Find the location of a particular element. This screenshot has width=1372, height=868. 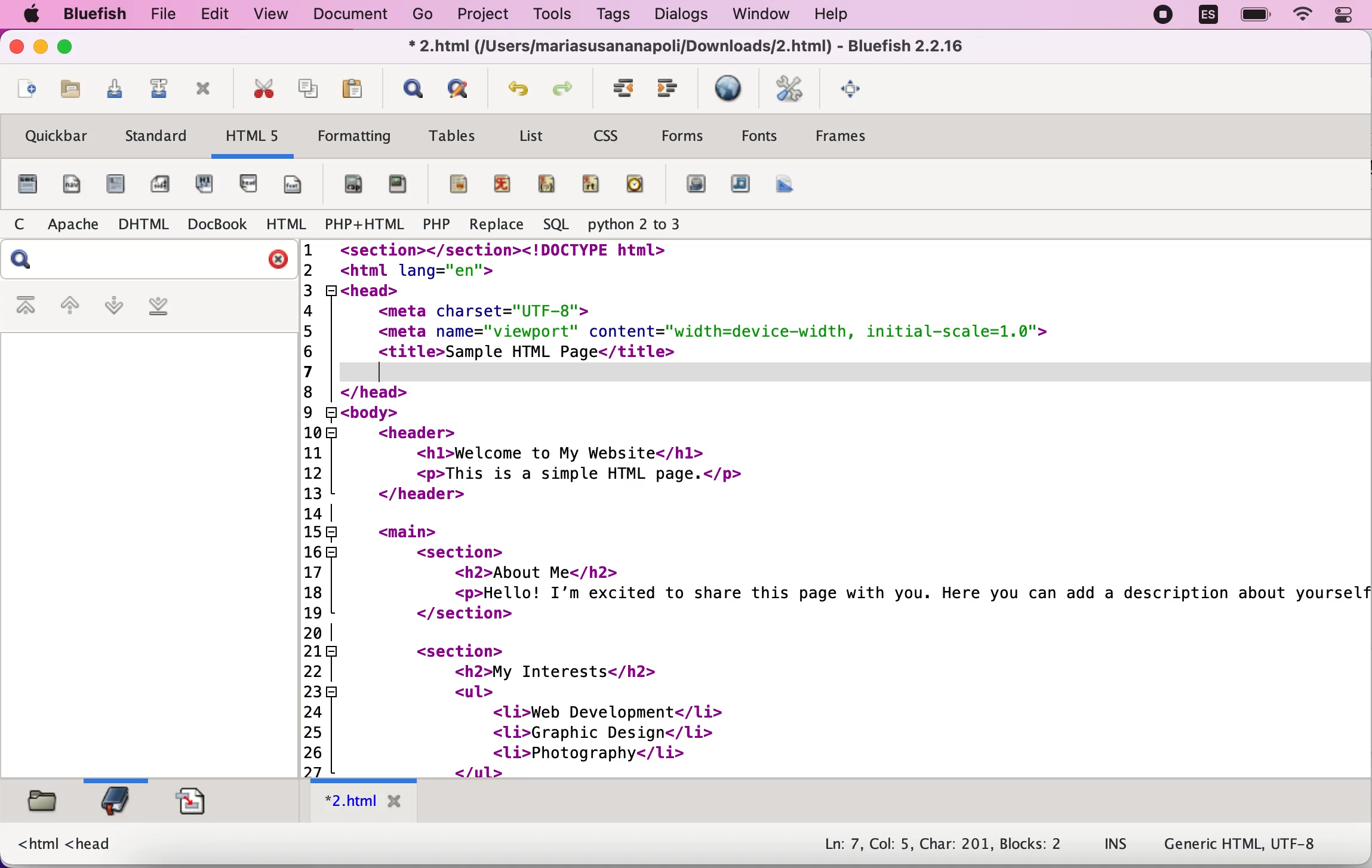

tables is located at coordinates (454, 135).